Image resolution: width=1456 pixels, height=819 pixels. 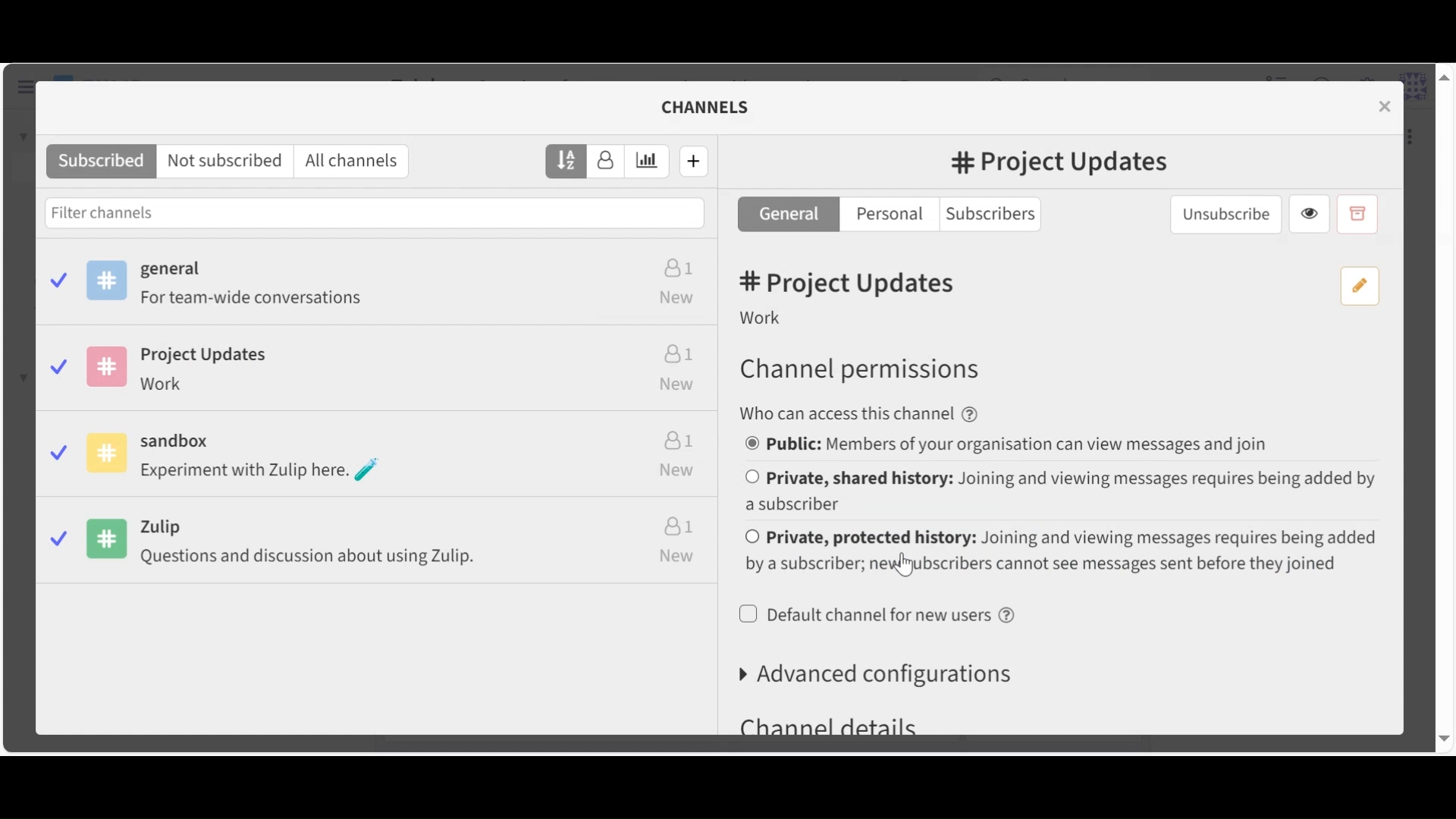 I want to click on text, so click(x=890, y=413).